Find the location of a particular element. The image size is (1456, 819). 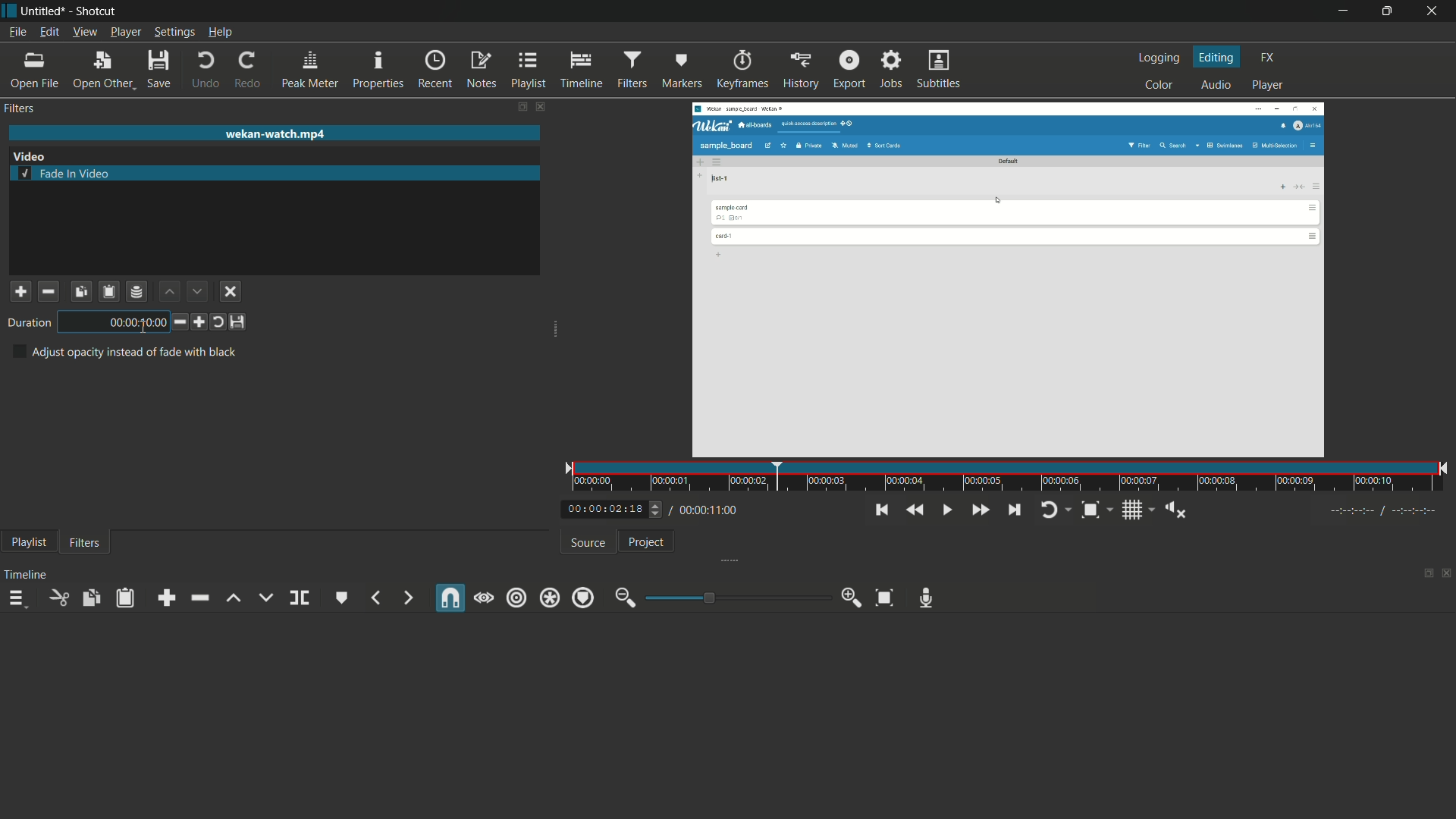

ripple delete is located at coordinates (199, 599).